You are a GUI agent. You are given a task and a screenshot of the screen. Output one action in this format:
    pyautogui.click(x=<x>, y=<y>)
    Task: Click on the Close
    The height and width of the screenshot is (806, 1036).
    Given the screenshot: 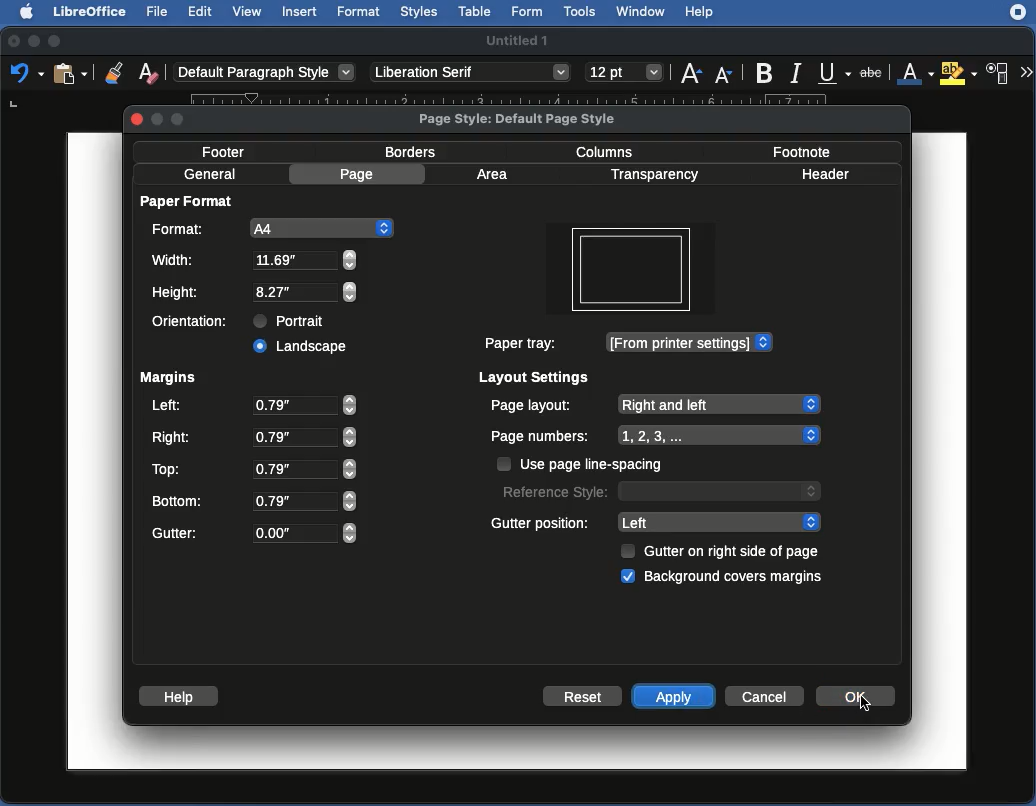 What is the action you would take?
    pyautogui.click(x=12, y=39)
    